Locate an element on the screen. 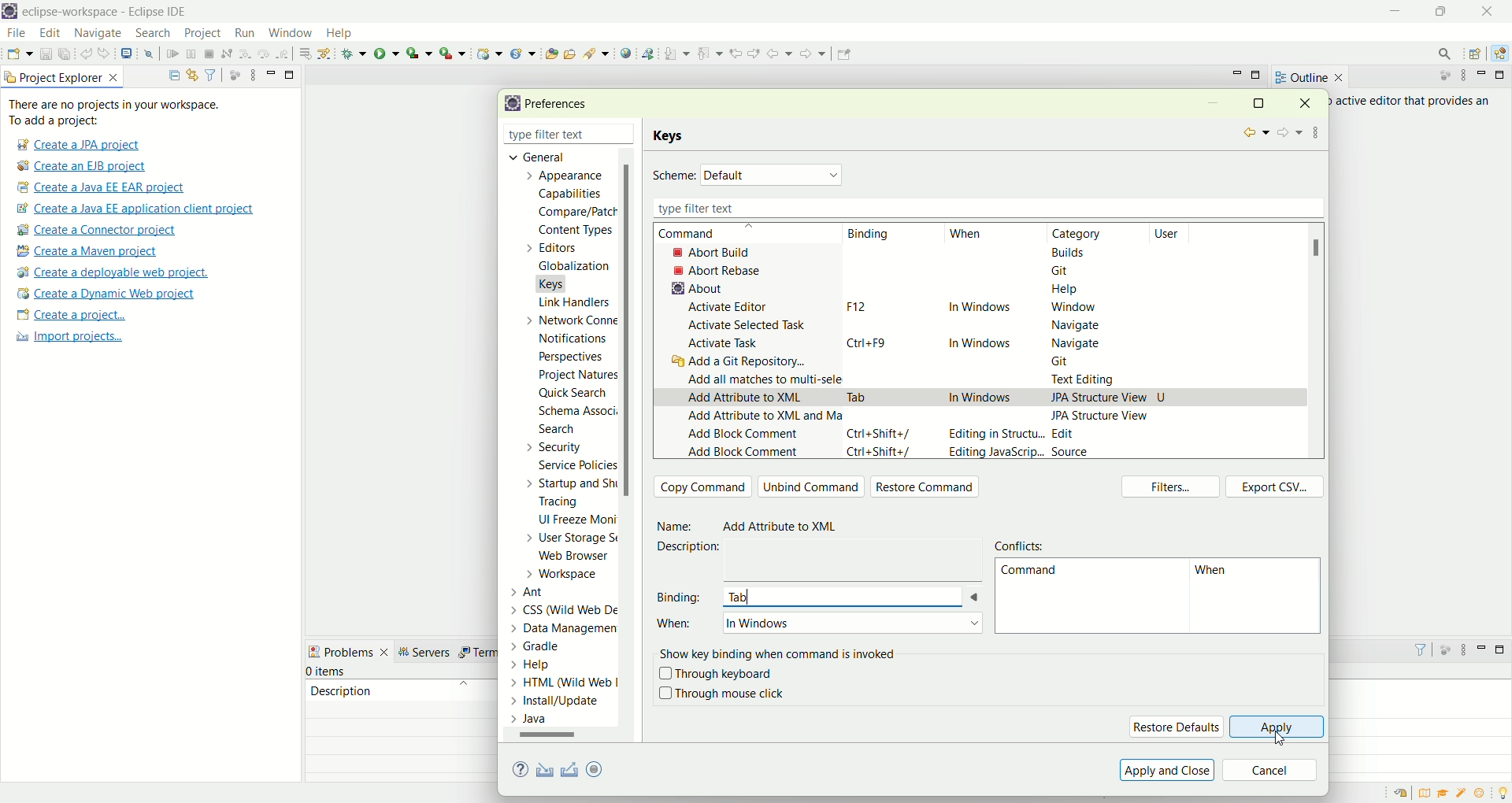 Image resolution: width=1512 pixels, height=803 pixels. in windows is located at coordinates (982, 340).